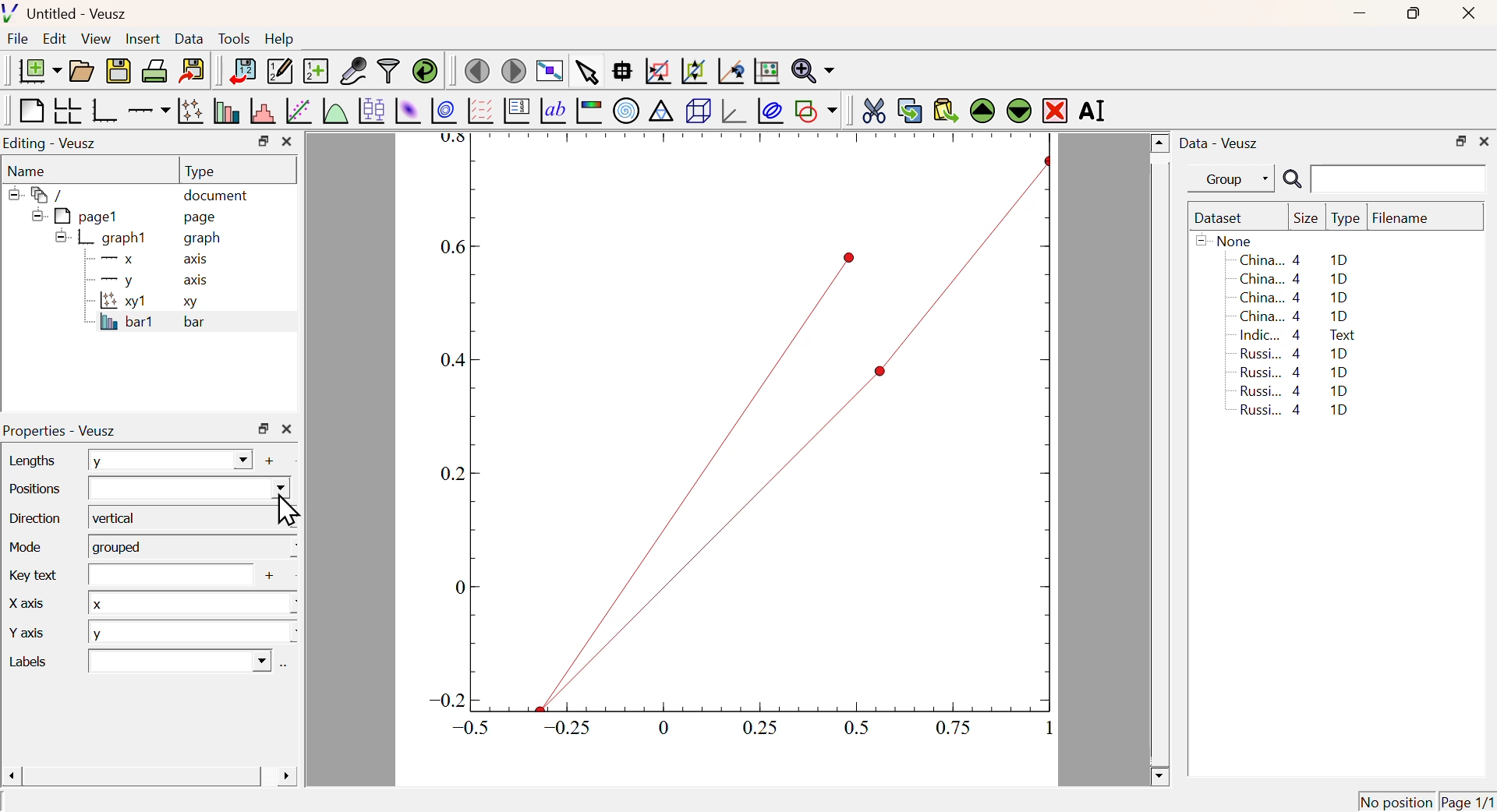 The width and height of the screenshot is (1497, 812). Describe the element at coordinates (1056, 111) in the screenshot. I see `Remove` at that location.